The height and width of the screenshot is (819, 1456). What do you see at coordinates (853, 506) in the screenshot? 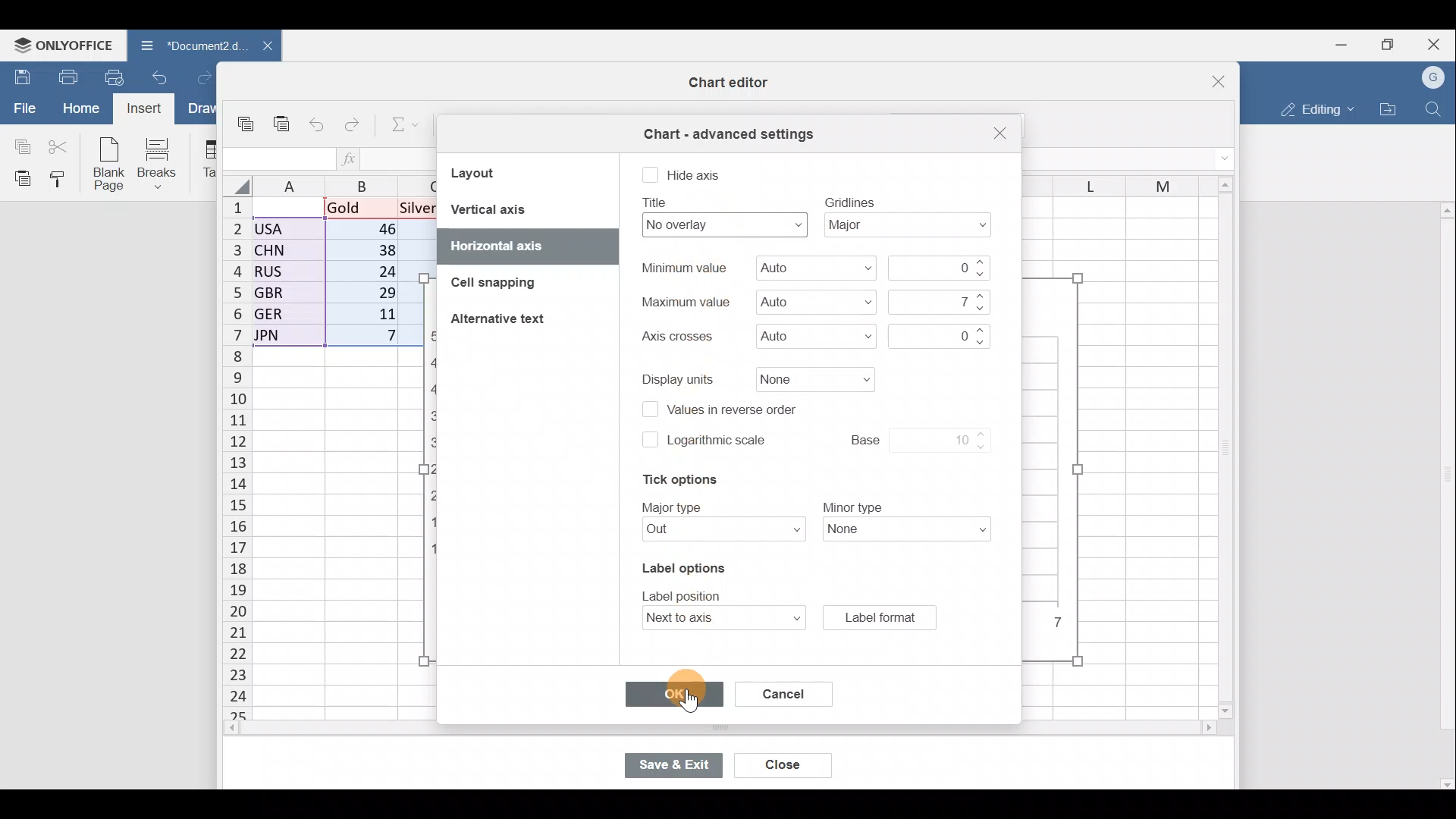
I see `text` at bounding box center [853, 506].